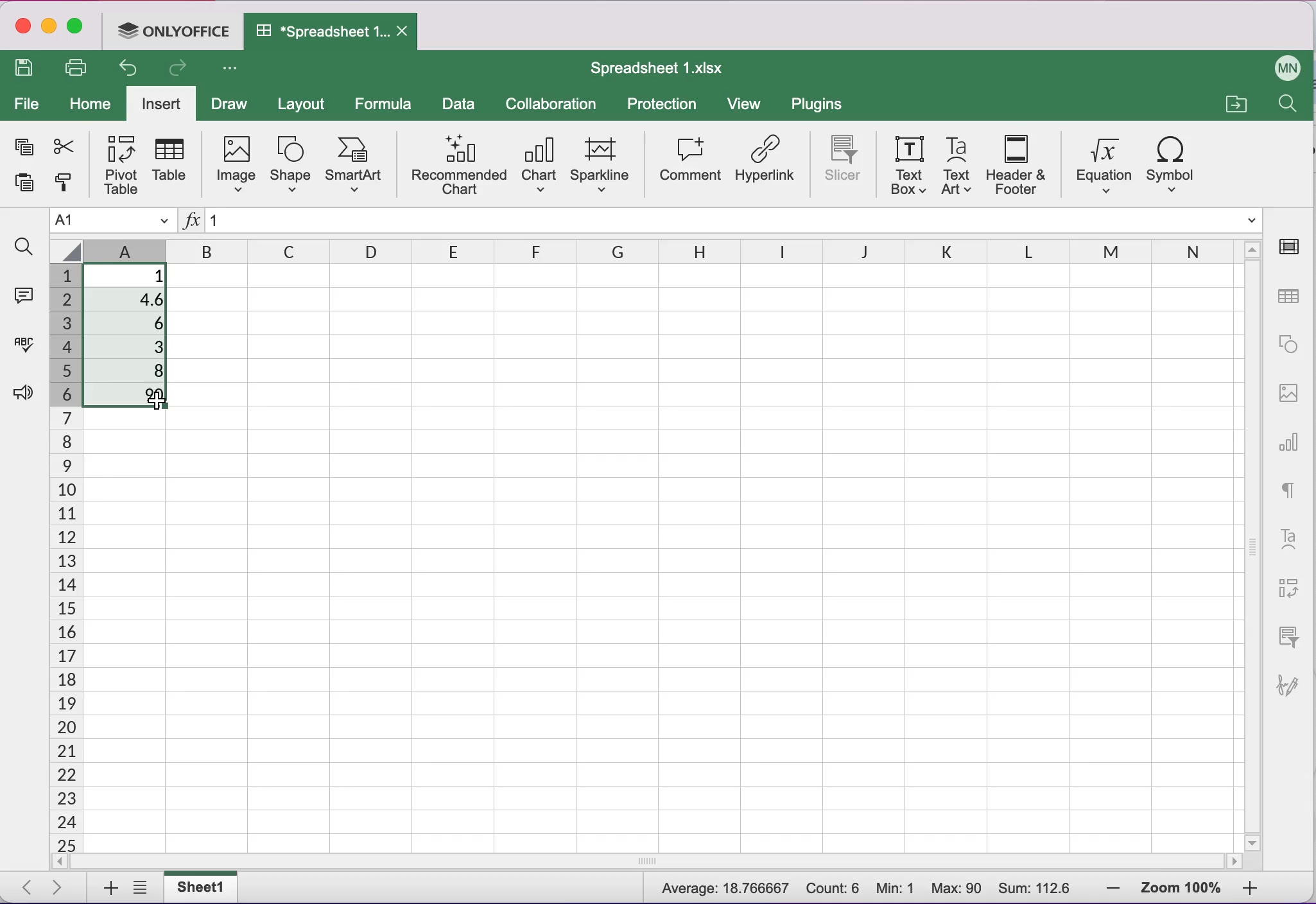  Describe the element at coordinates (407, 31) in the screenshot. I see `Close` at that location.